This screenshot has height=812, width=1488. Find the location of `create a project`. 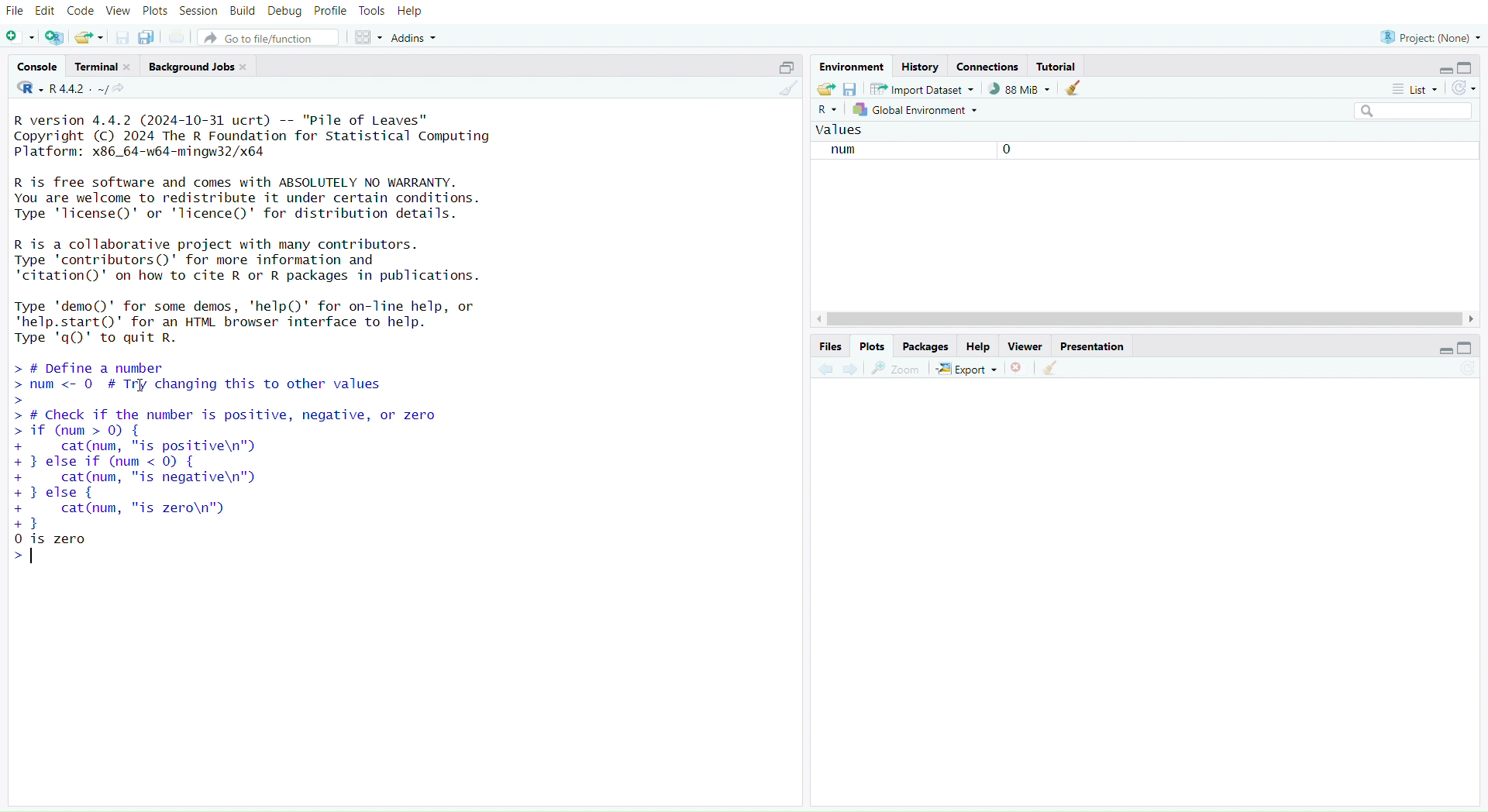

create a project is located at coordinates (55, 38).